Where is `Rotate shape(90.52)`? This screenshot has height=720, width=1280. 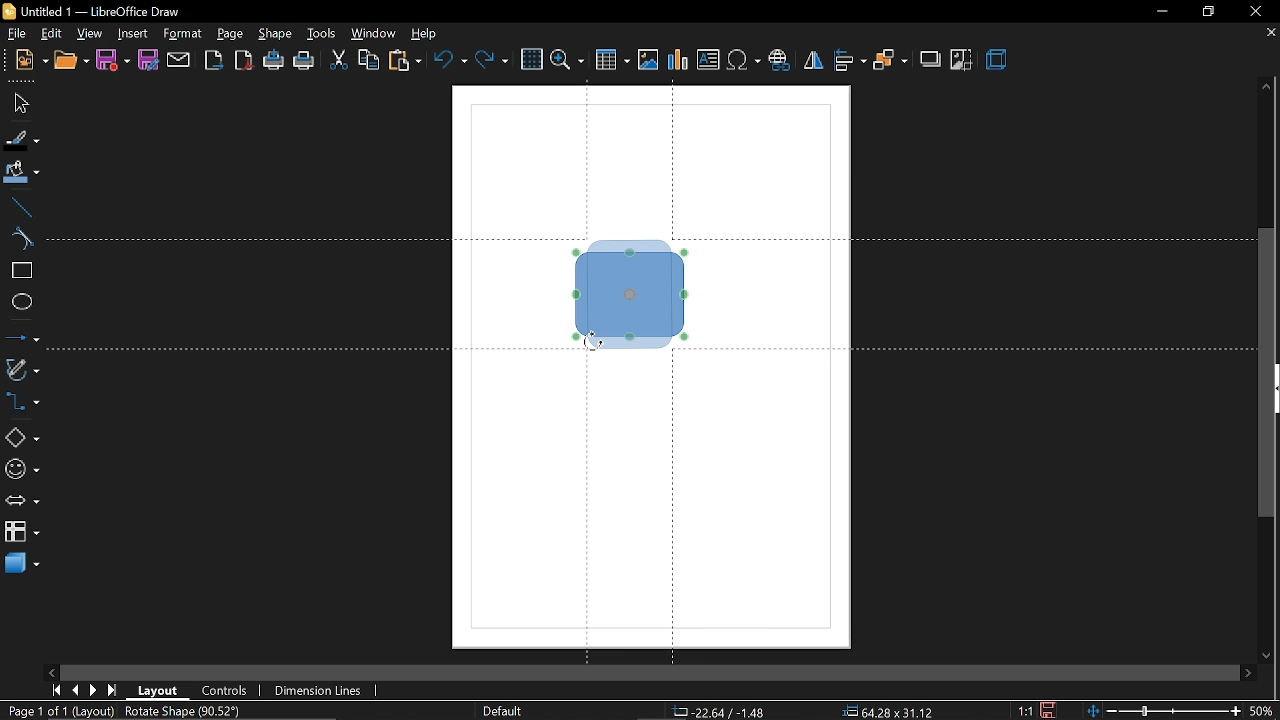
Rotate shape(90.52) is located at coordinates (184, 711).